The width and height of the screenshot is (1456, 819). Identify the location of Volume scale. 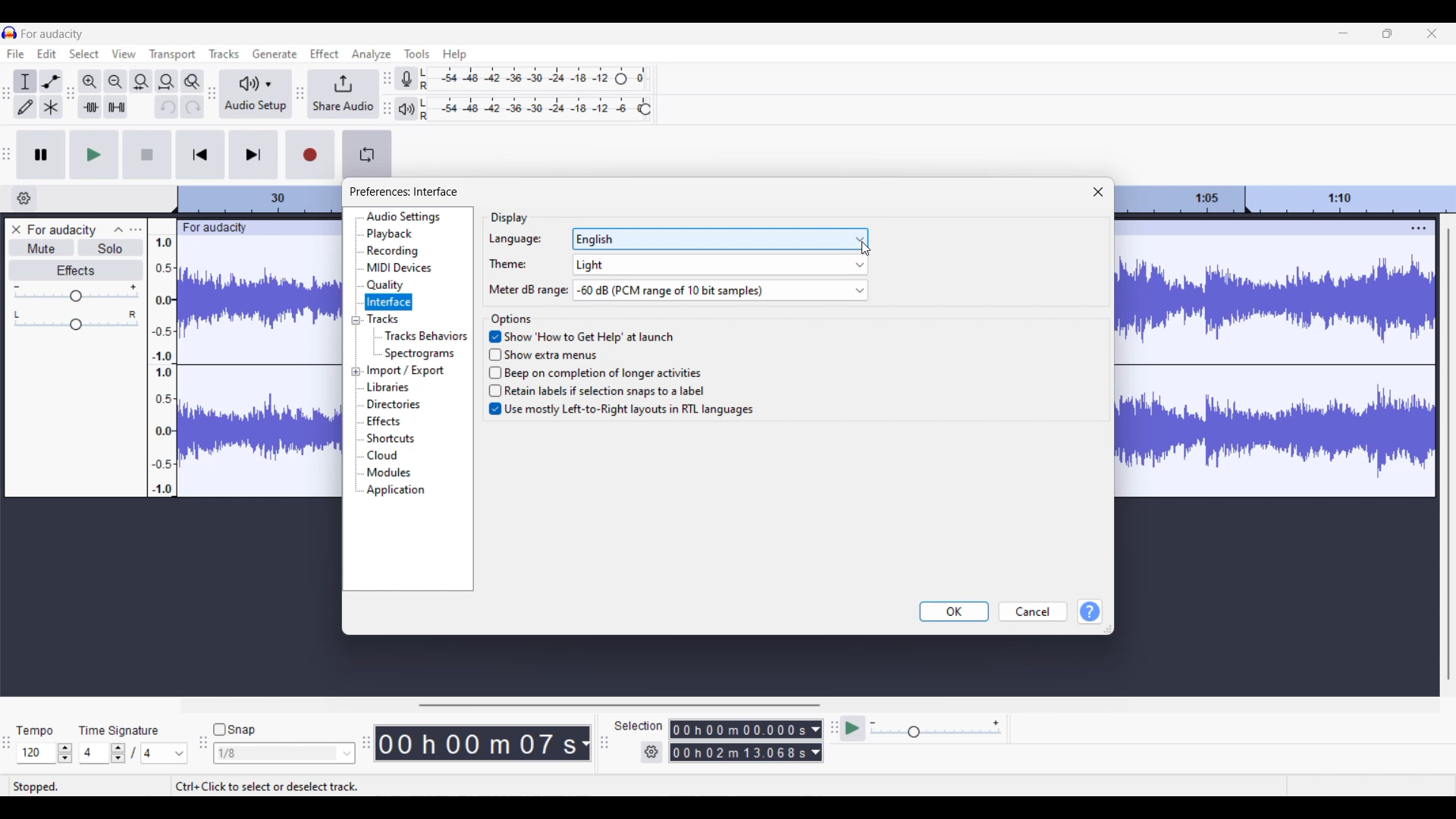
(76, 293).